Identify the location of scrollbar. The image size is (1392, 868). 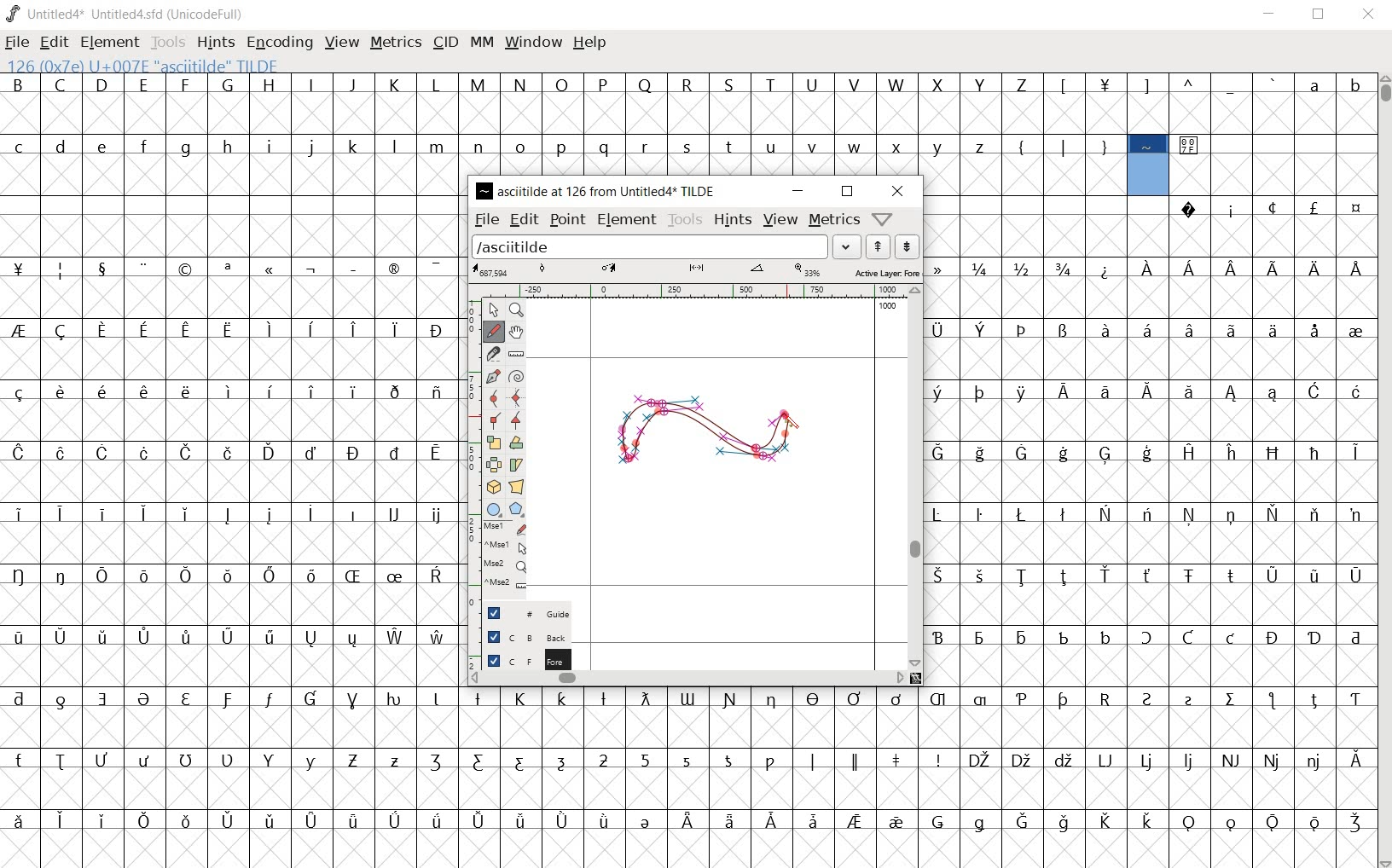
(917, 477).